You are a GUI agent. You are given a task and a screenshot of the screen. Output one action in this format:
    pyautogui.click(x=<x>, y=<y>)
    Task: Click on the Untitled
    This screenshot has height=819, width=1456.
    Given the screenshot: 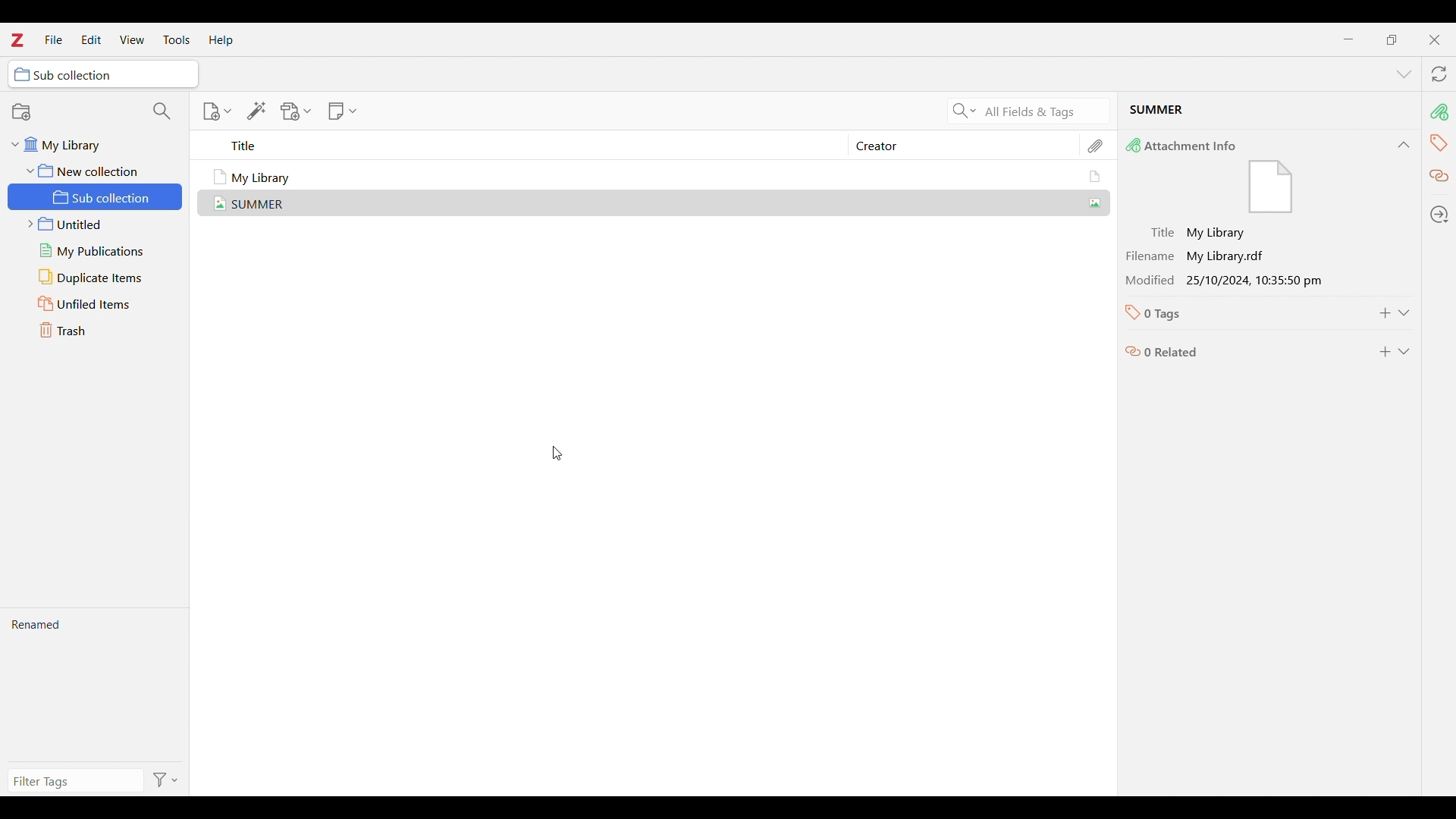 What is the action you would take?
    pyautogui.click(x=96, y=224)
    